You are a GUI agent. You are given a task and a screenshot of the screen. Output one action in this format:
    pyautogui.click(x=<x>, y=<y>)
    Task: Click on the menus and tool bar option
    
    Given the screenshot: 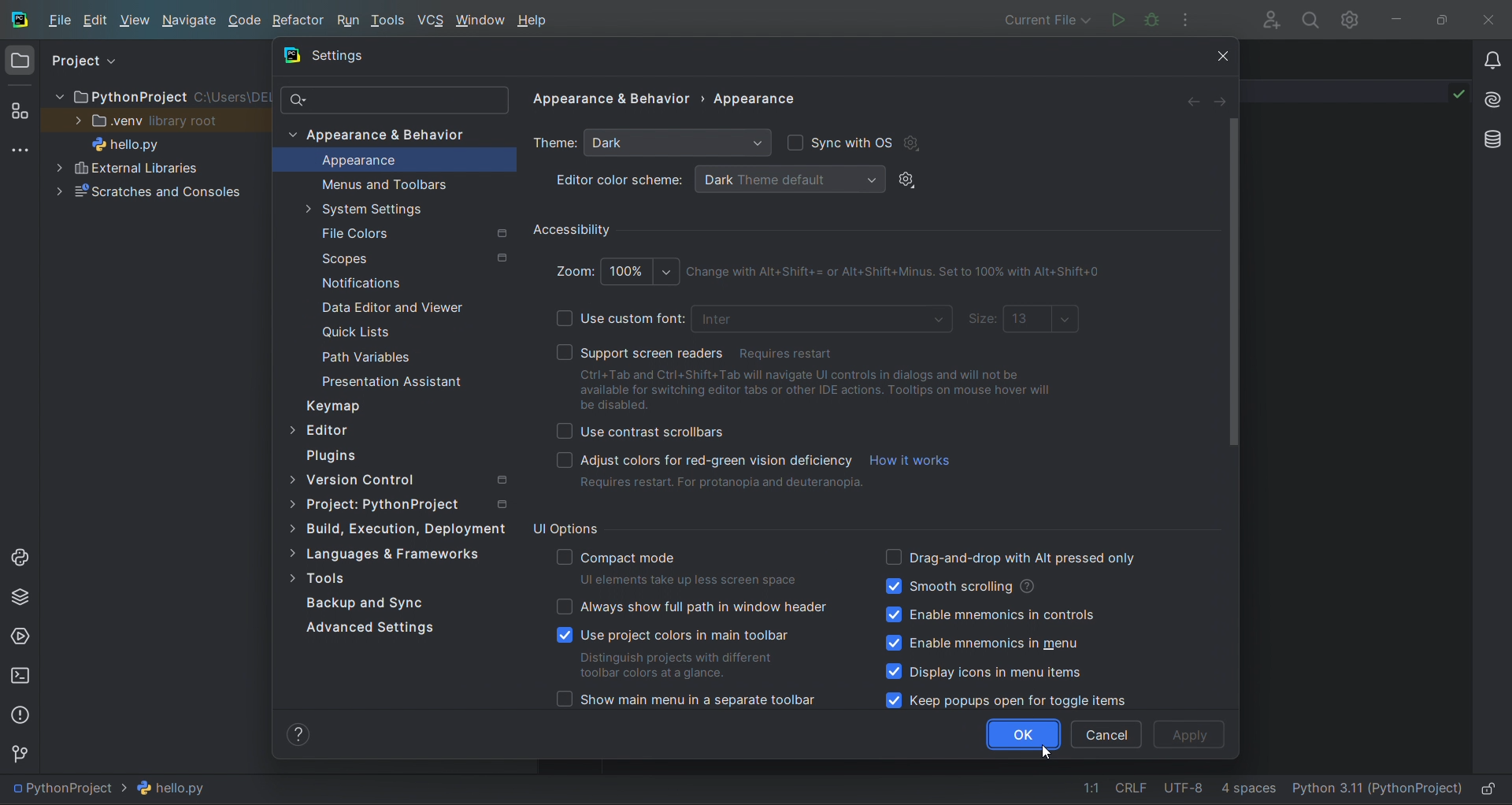 What is the action you would take?
    pyautogui.click(x=392, y=184)
    